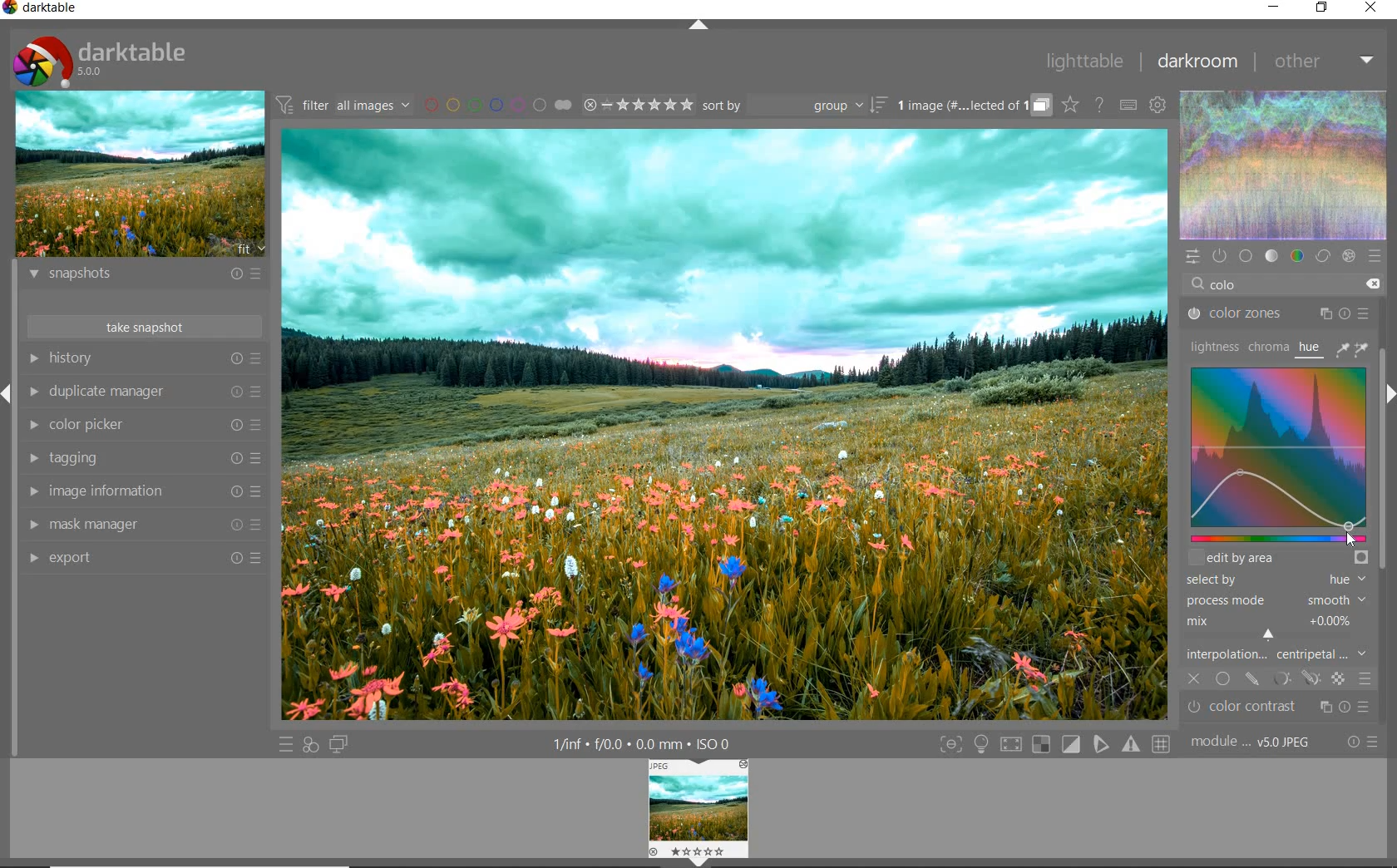 The height and width of the screenshot is (868, 1397). What do you see at coordinates (726, 423) in the screenshot?
I see `selected image` at bounding box center [726, 423].